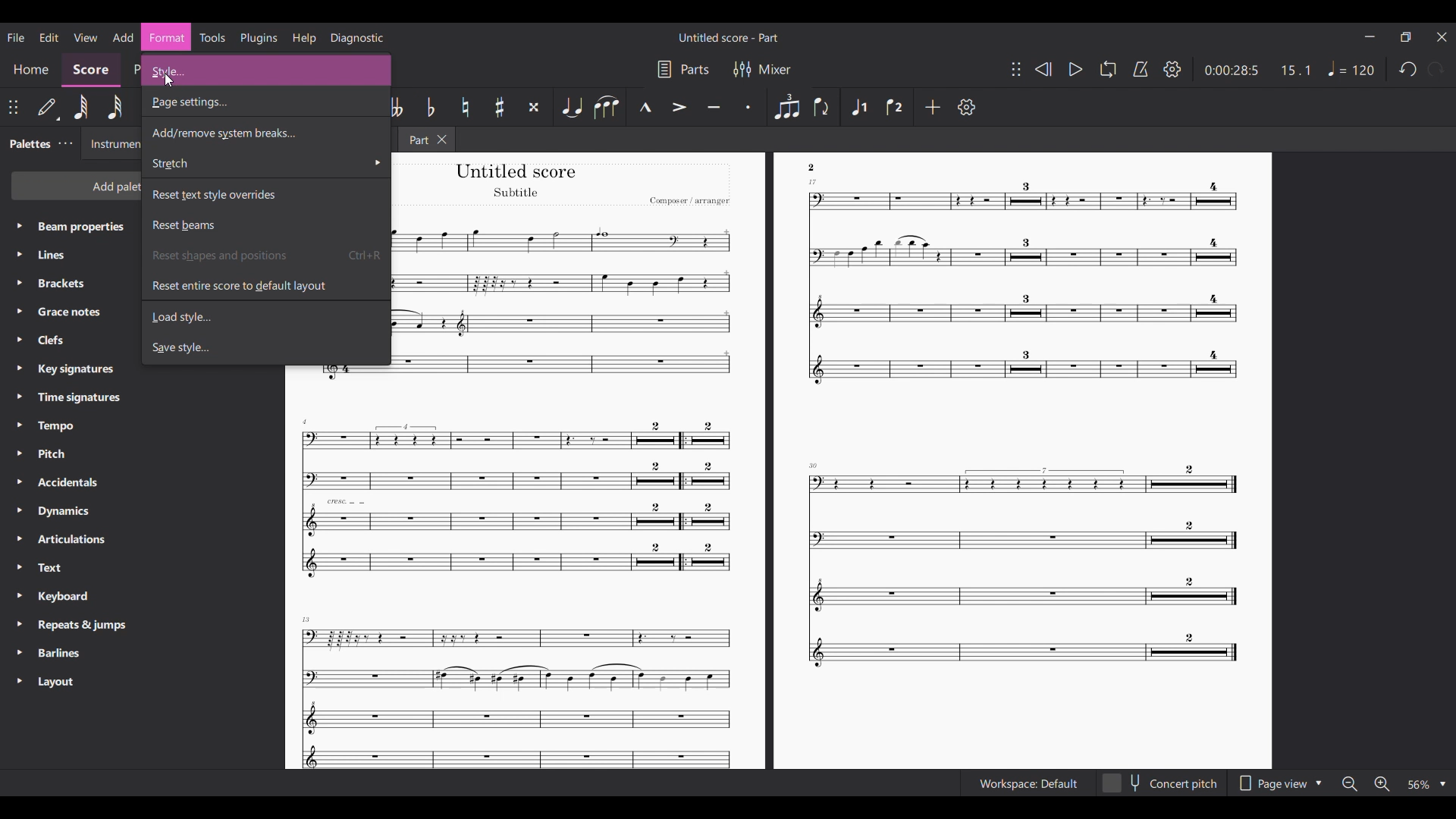 This screenshot has height=819, width=1456. I want to click on 0:00 28:5   15:1, so click(1257, 71).